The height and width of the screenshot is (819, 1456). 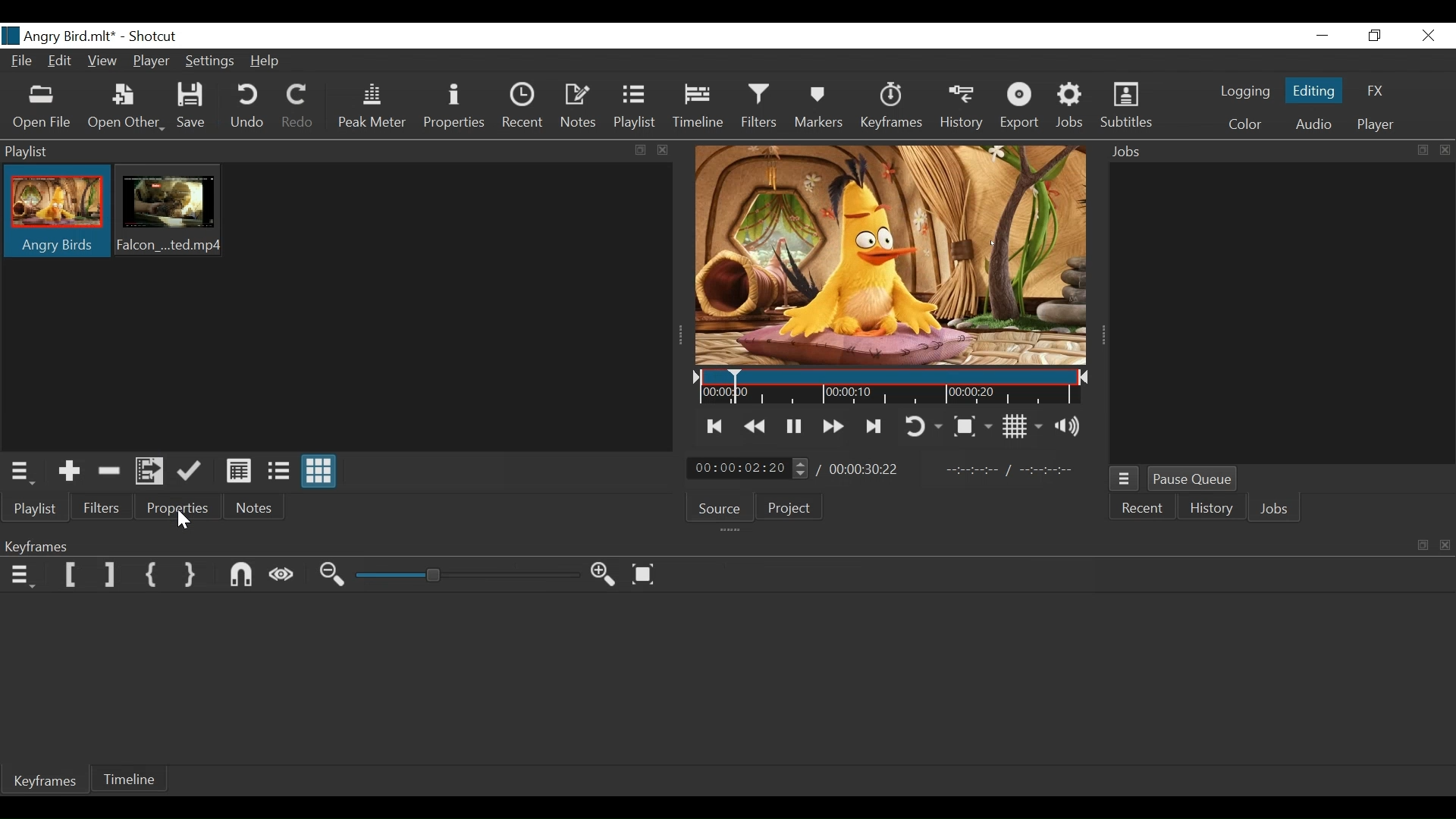 I want to click on Clip, so click(x=168, y=212).